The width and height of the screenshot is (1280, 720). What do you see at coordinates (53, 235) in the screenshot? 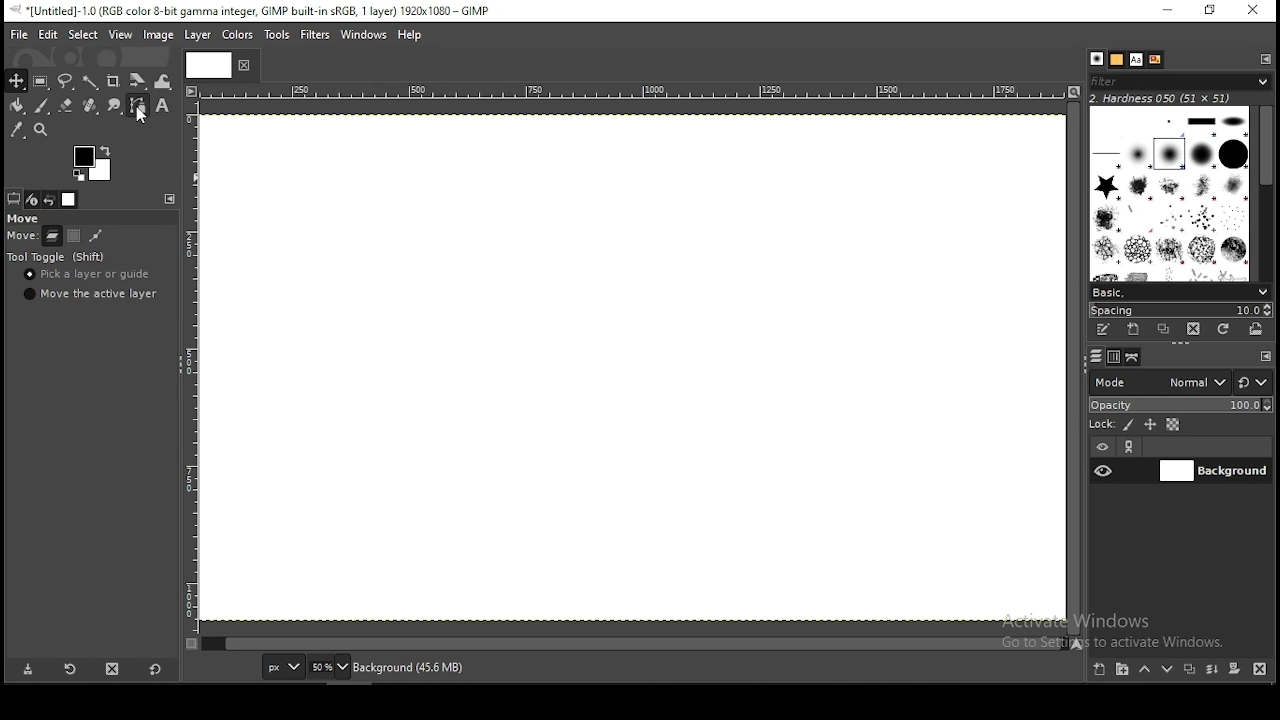
I see `move layer` at bounding box center [53, 235].